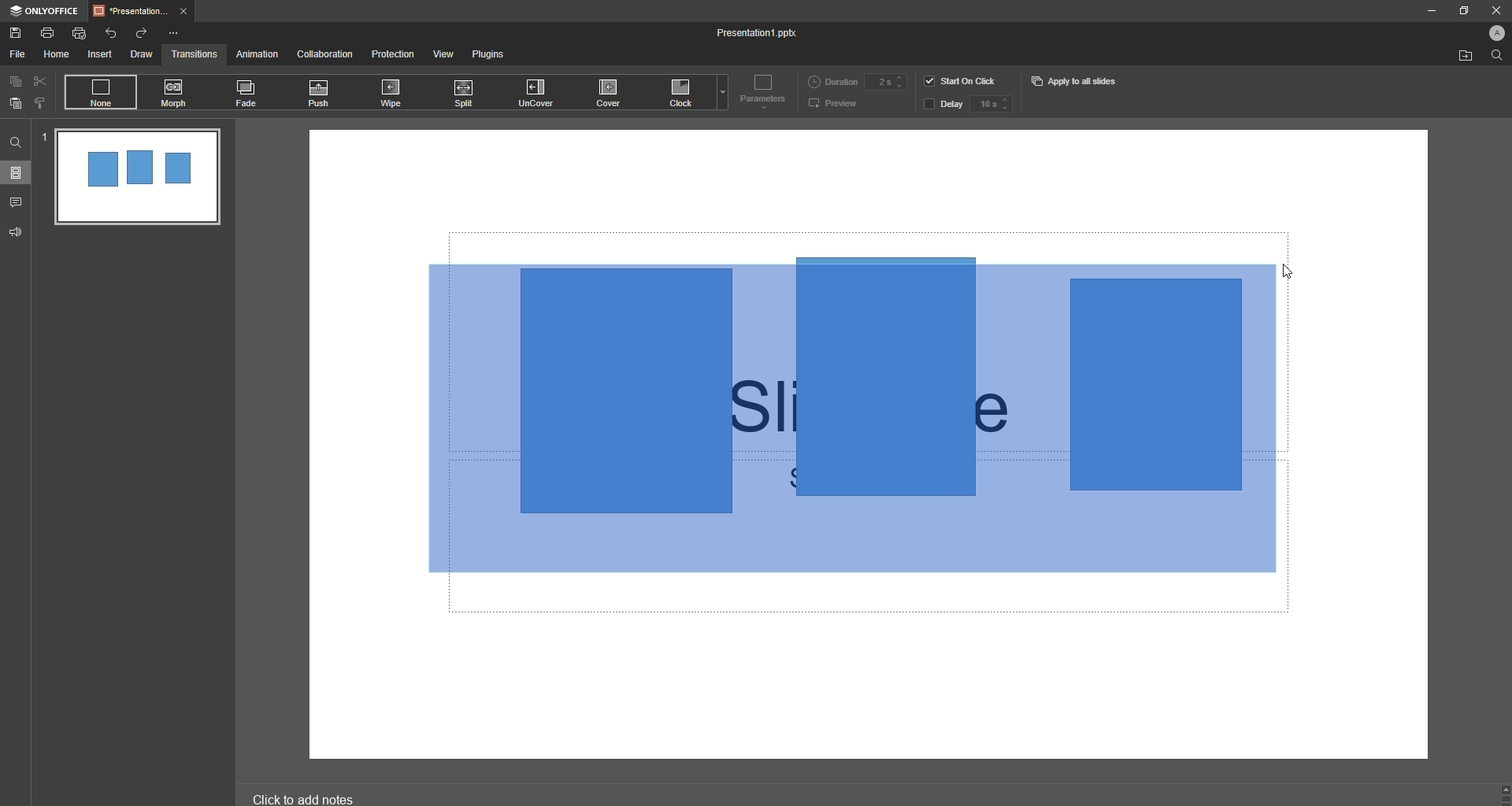 The height and width of the screenshot is (806, 1512). I want to click on duration input, so click(885, 83).